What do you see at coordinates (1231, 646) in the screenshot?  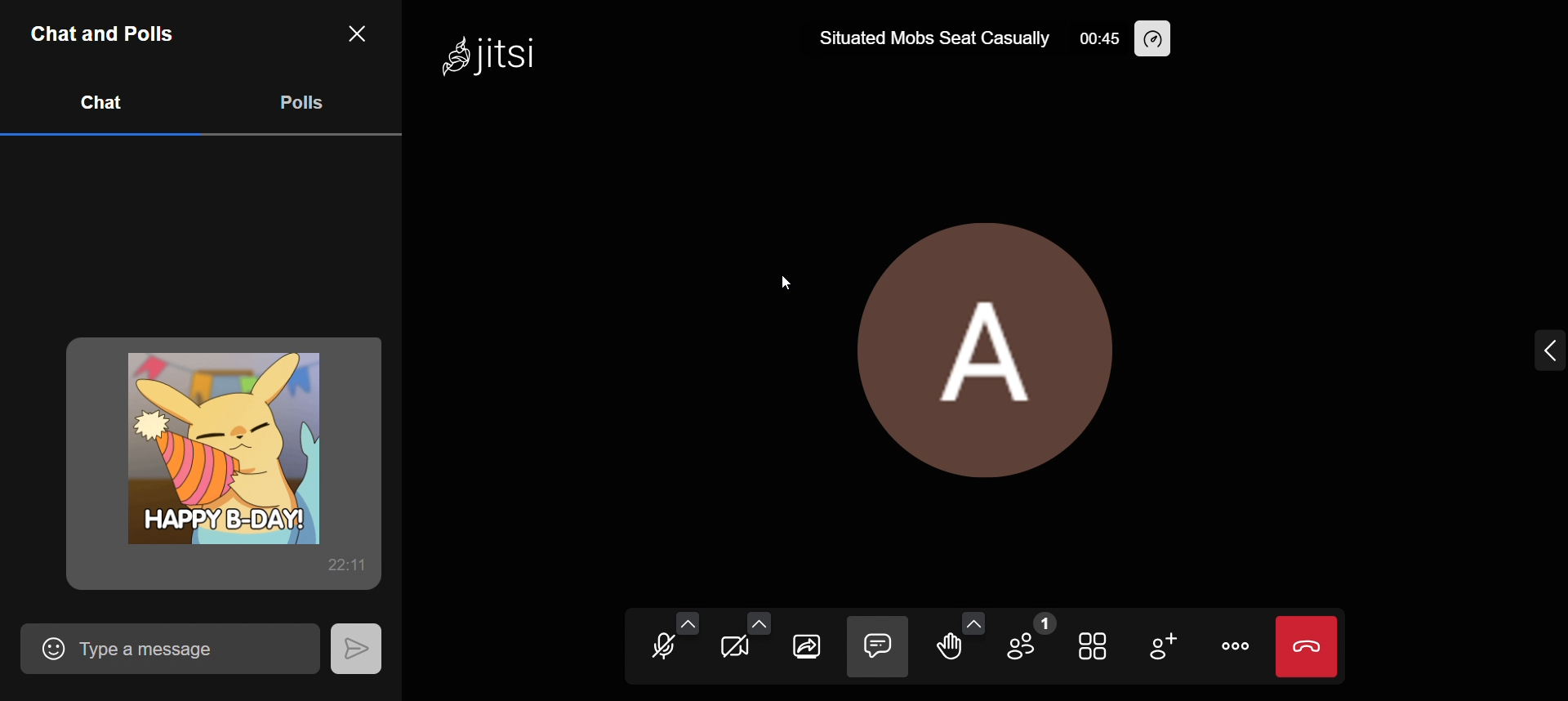 I see `more actions` at bounding box center [1231, 646].